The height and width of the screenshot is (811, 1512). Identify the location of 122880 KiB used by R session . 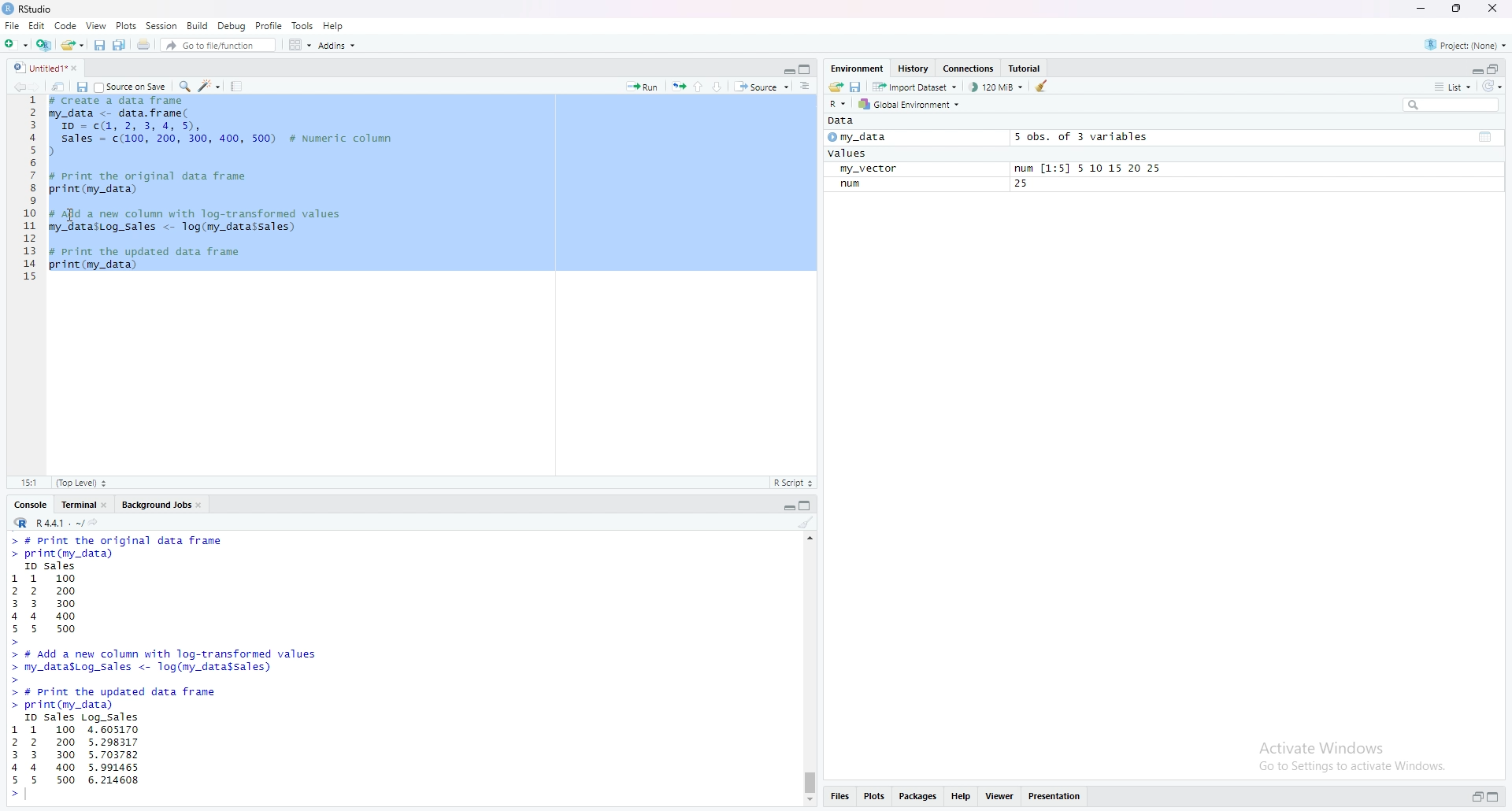
(997, 89).